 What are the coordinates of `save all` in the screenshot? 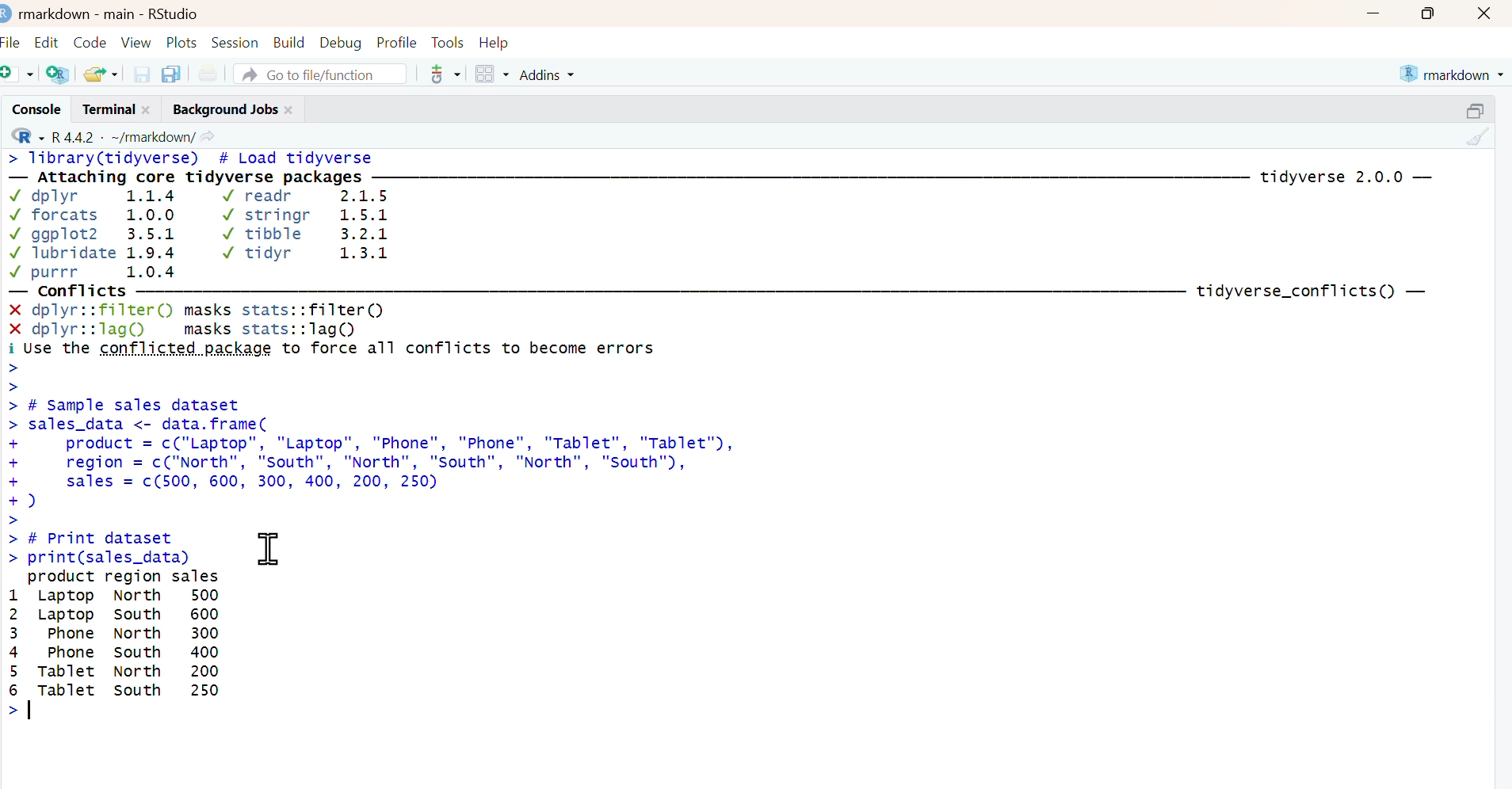 It's located at (170, 73).